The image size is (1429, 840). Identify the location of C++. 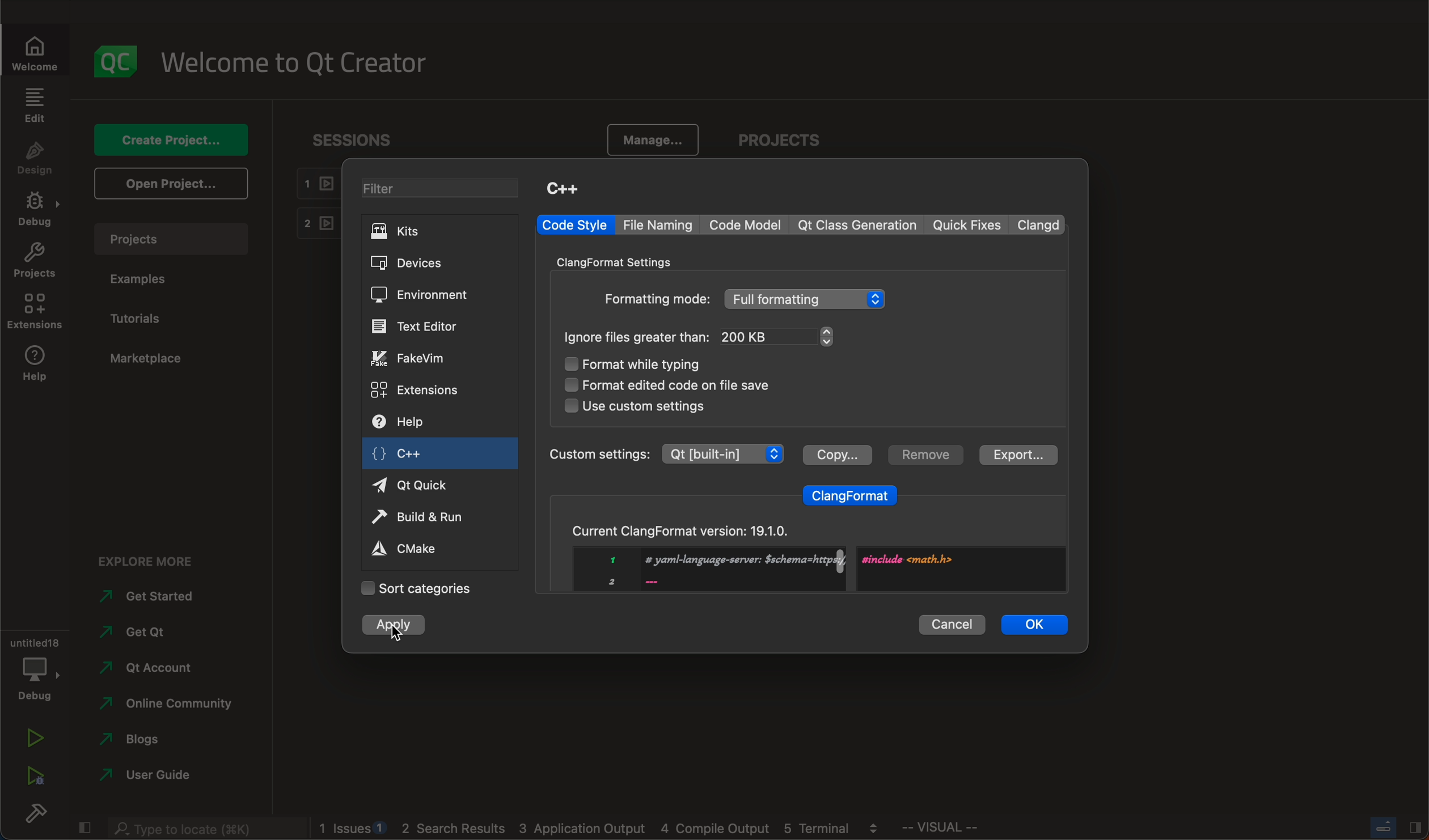
(562, 188).